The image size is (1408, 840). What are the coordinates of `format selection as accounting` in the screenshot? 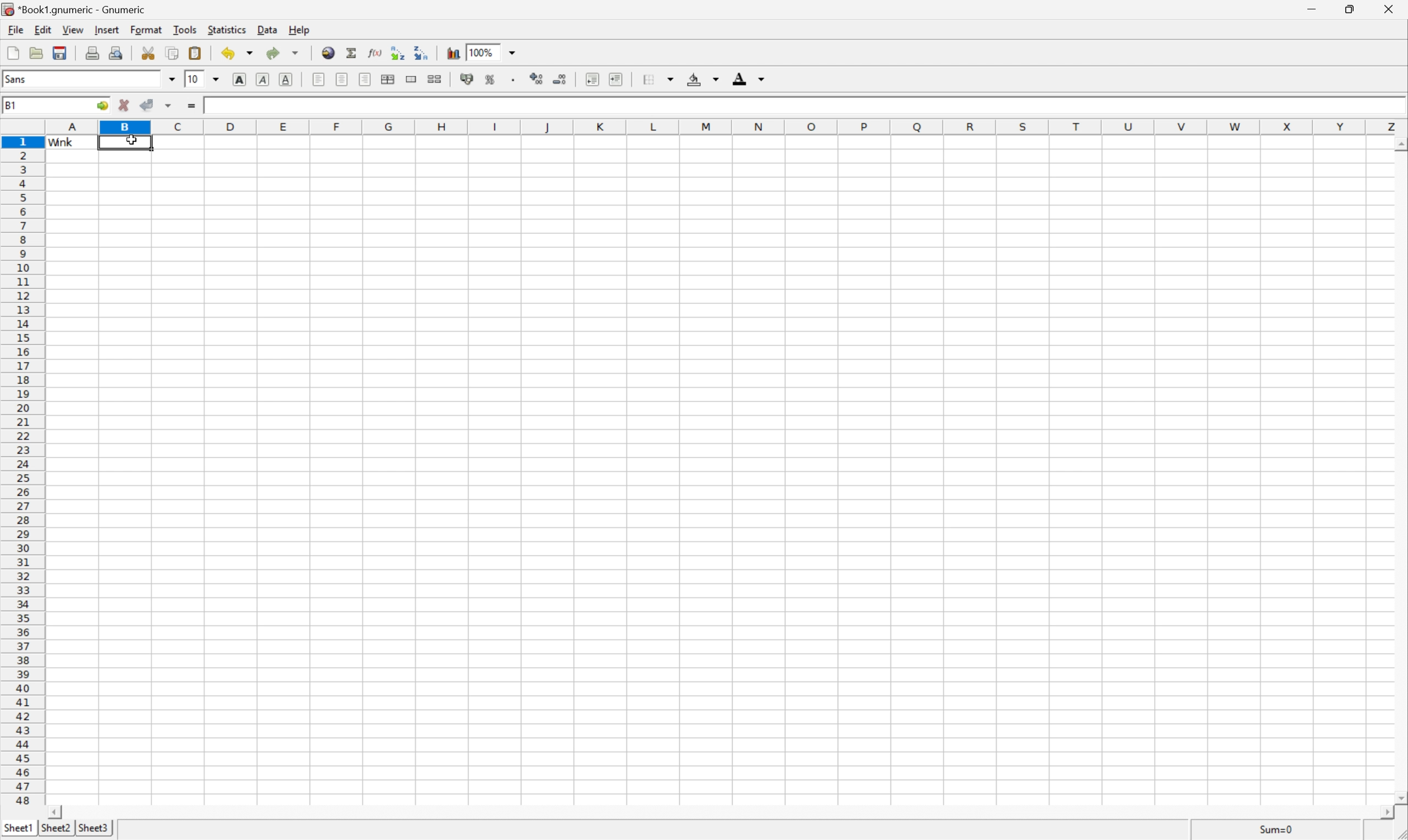 It's located at (467, 78).